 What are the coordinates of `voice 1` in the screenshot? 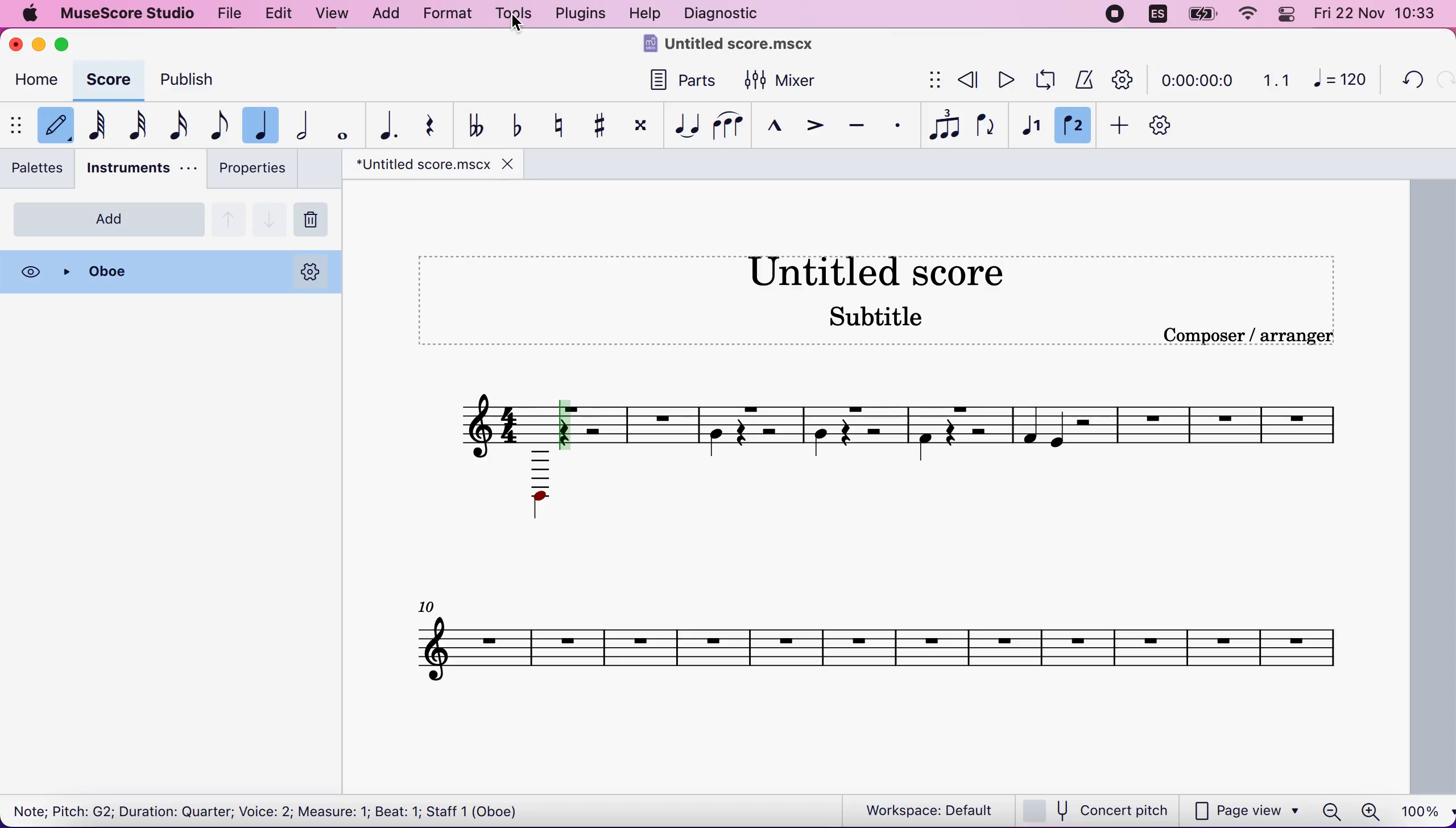 It's located at (1032, 123).